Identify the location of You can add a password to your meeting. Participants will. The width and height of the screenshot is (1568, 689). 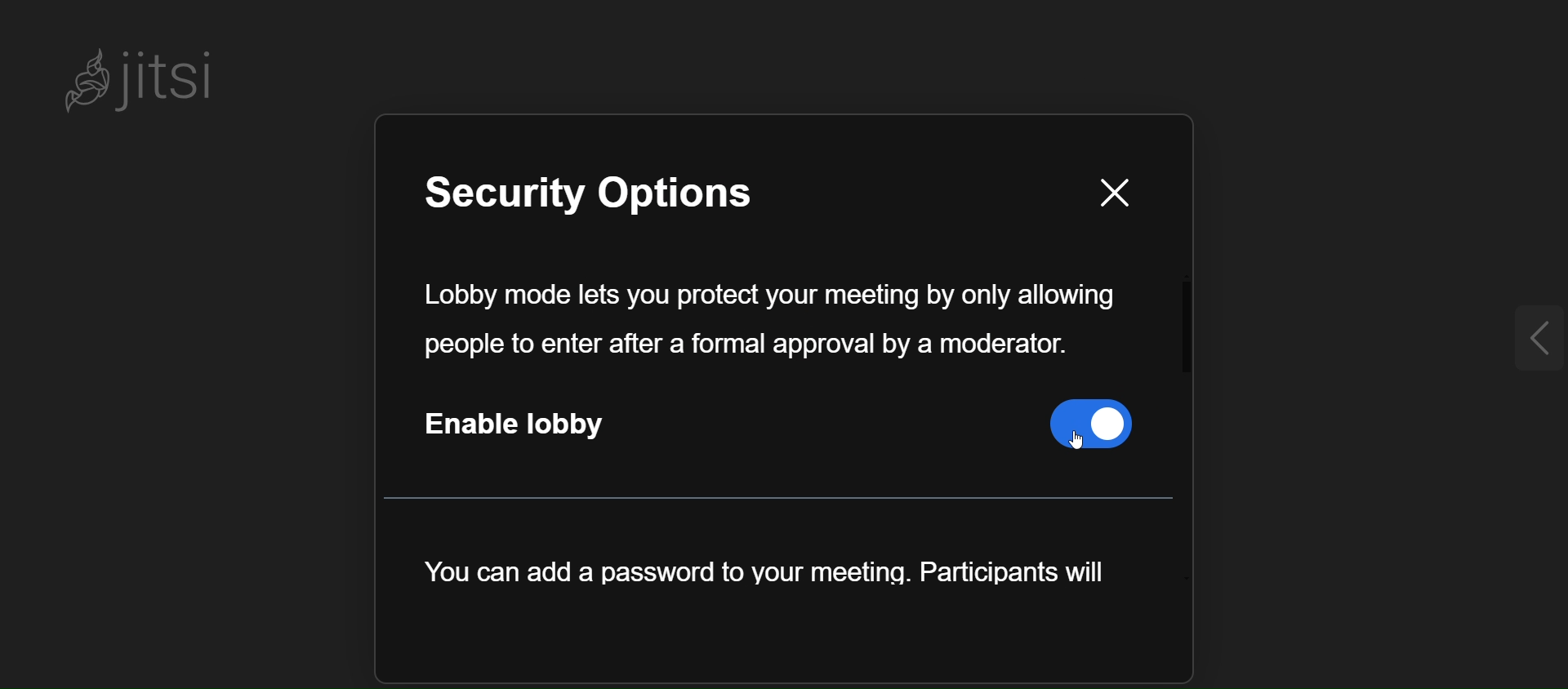
(773, 580).